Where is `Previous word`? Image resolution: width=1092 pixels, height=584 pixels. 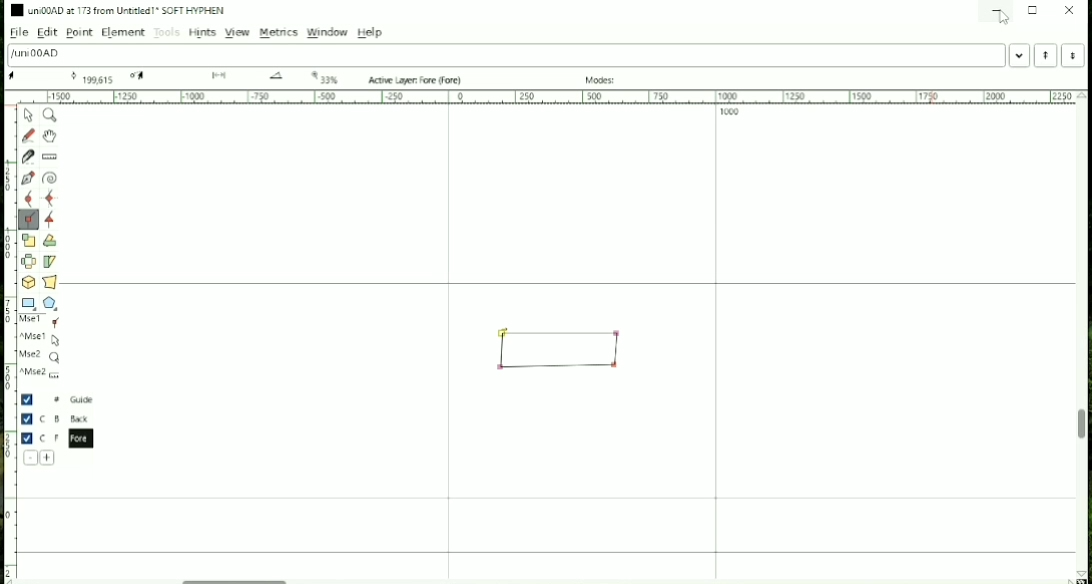
Previous word is located at coordinates (1045, 55).